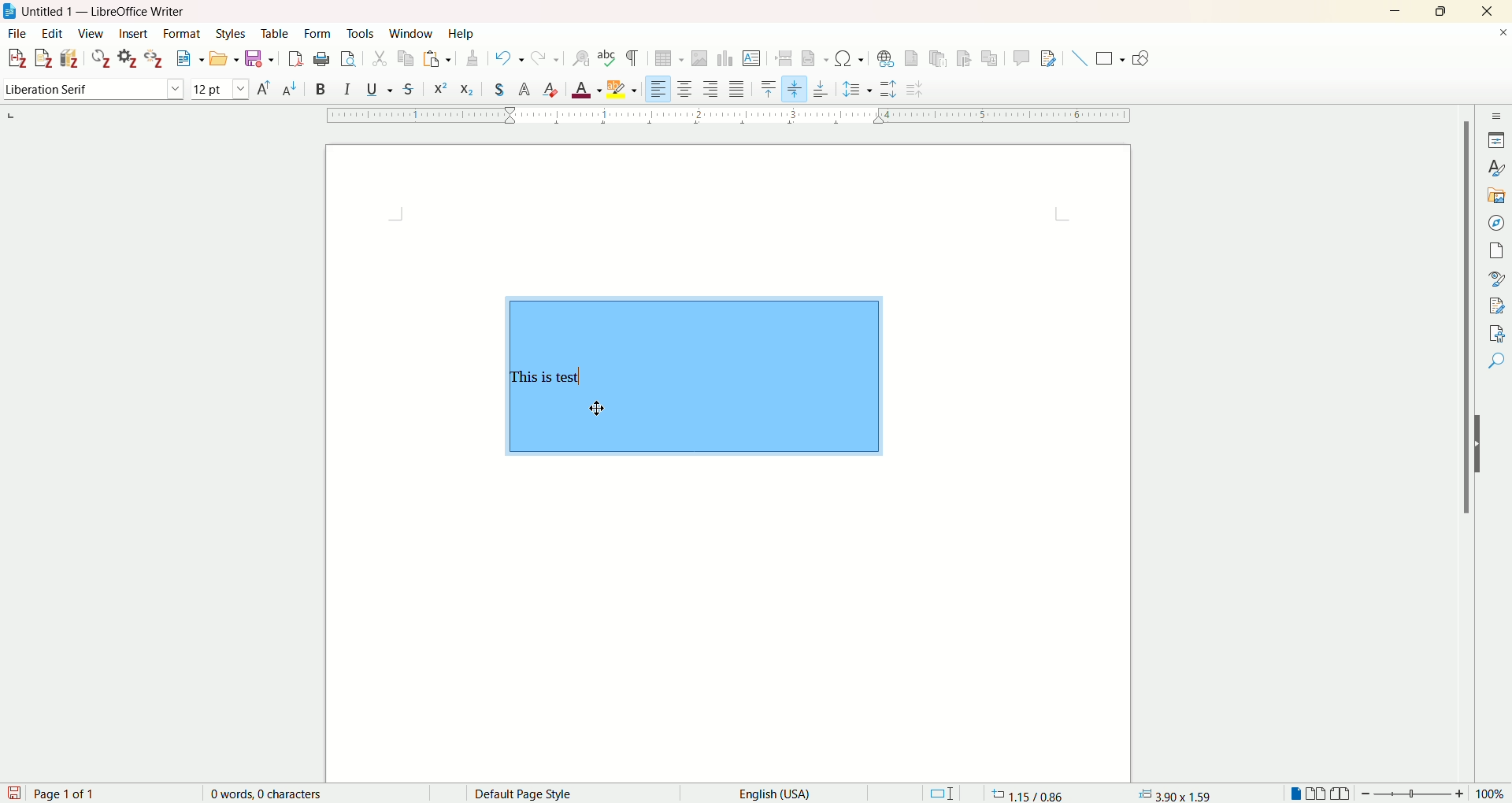  What do you see at coordinates (1295, 792) in the screenshot?
I see `single page view` at bounding box center [1295, 792].